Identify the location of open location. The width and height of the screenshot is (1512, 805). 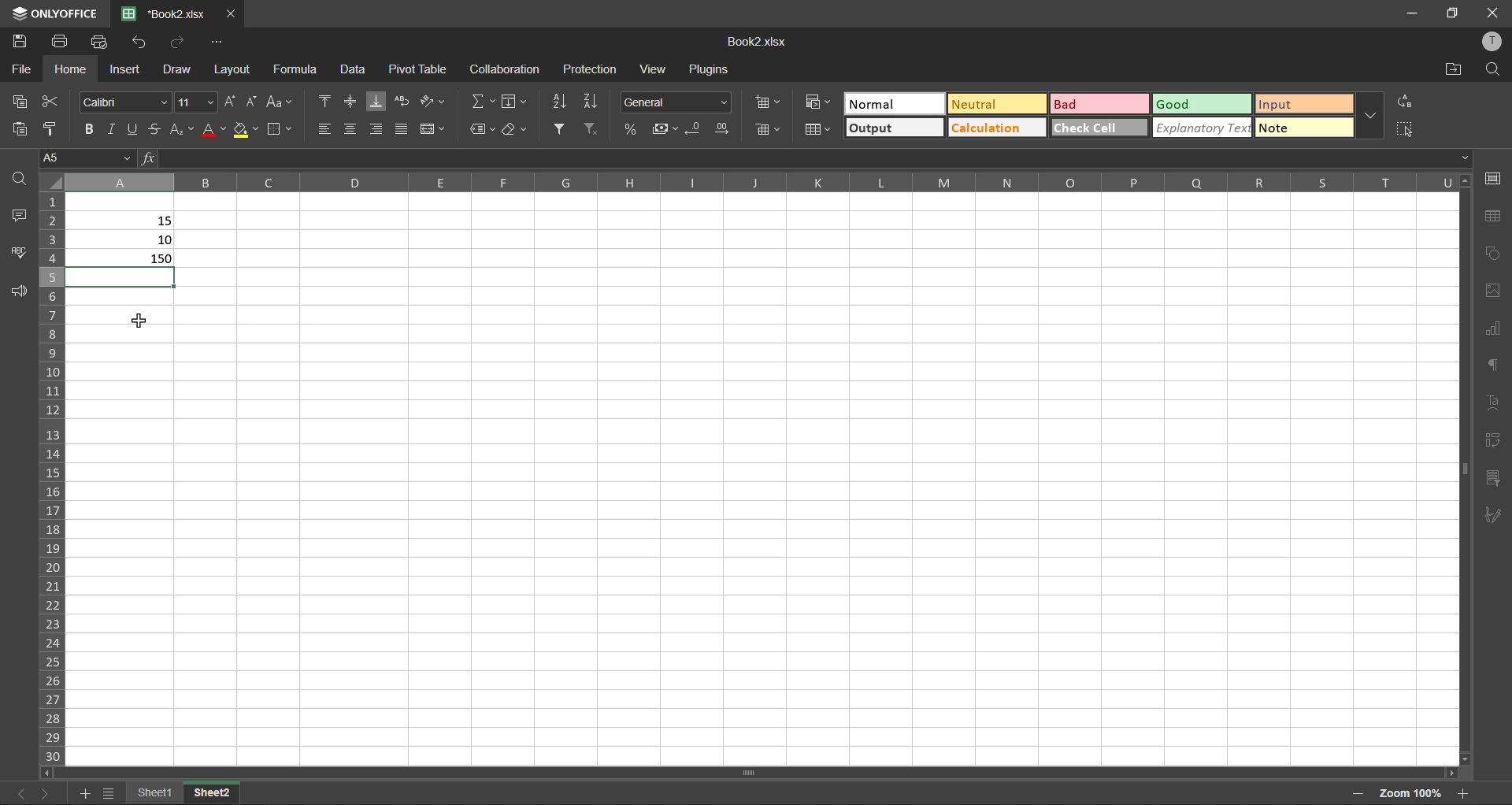
(1451, 68).